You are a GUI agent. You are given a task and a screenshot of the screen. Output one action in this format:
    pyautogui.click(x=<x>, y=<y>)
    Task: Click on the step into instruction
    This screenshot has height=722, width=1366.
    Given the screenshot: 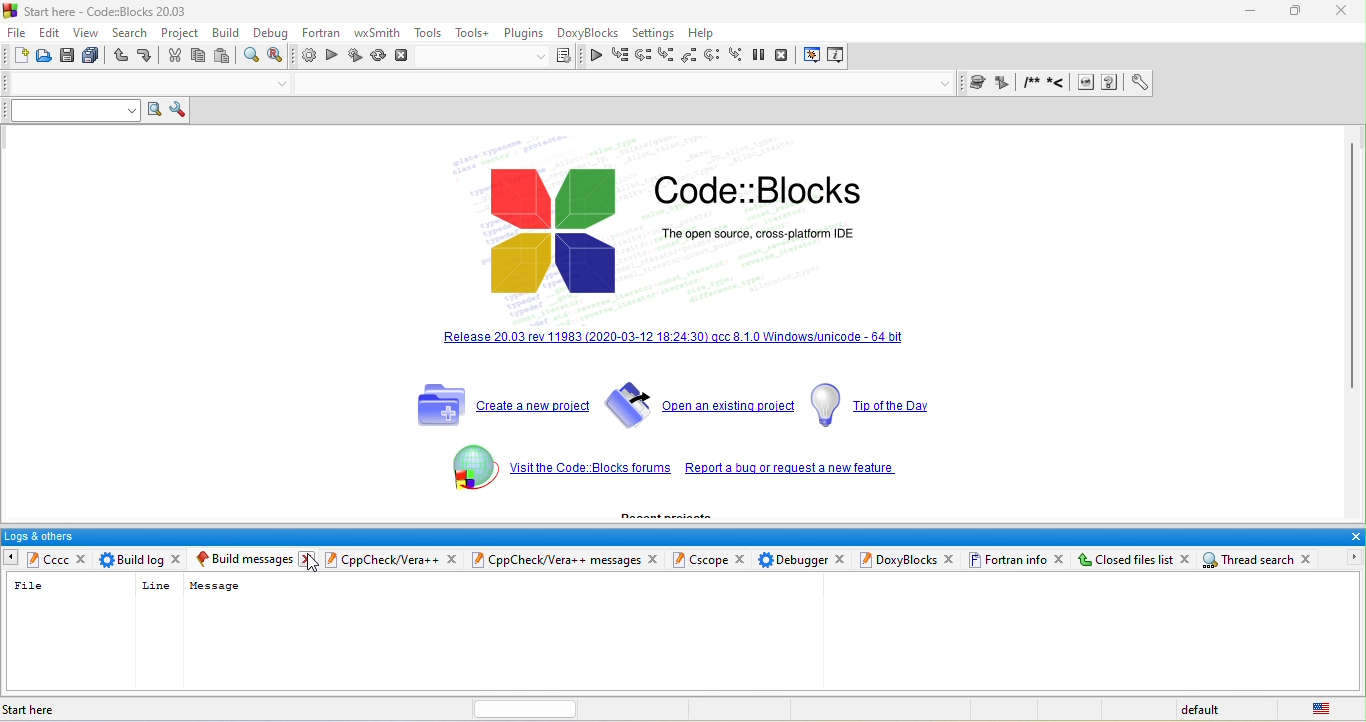 What is the action you would take?
    pyautogui.click(x=736, y=57)
    